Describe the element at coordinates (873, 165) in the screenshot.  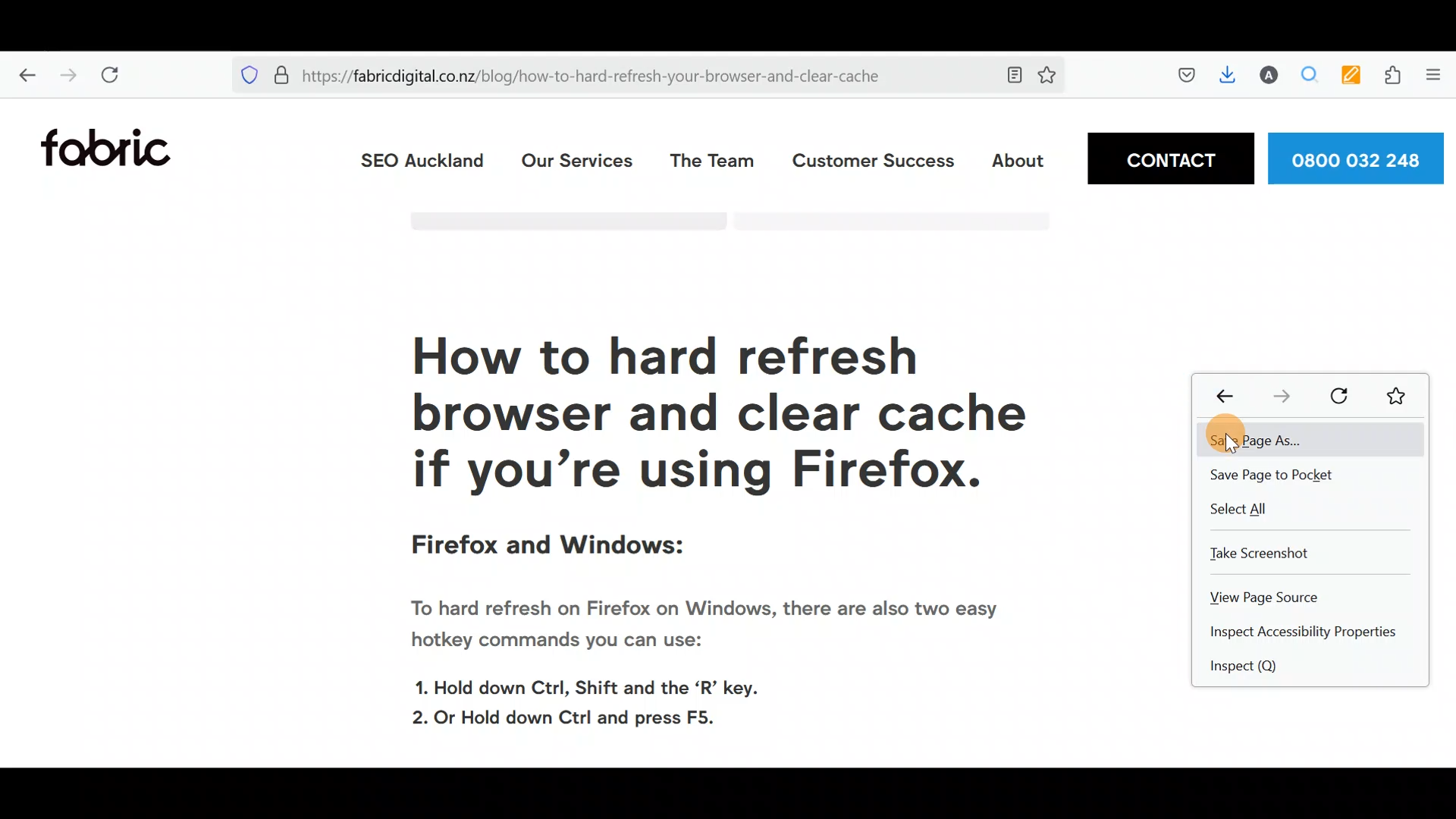
I see `Customer Success` at that location.